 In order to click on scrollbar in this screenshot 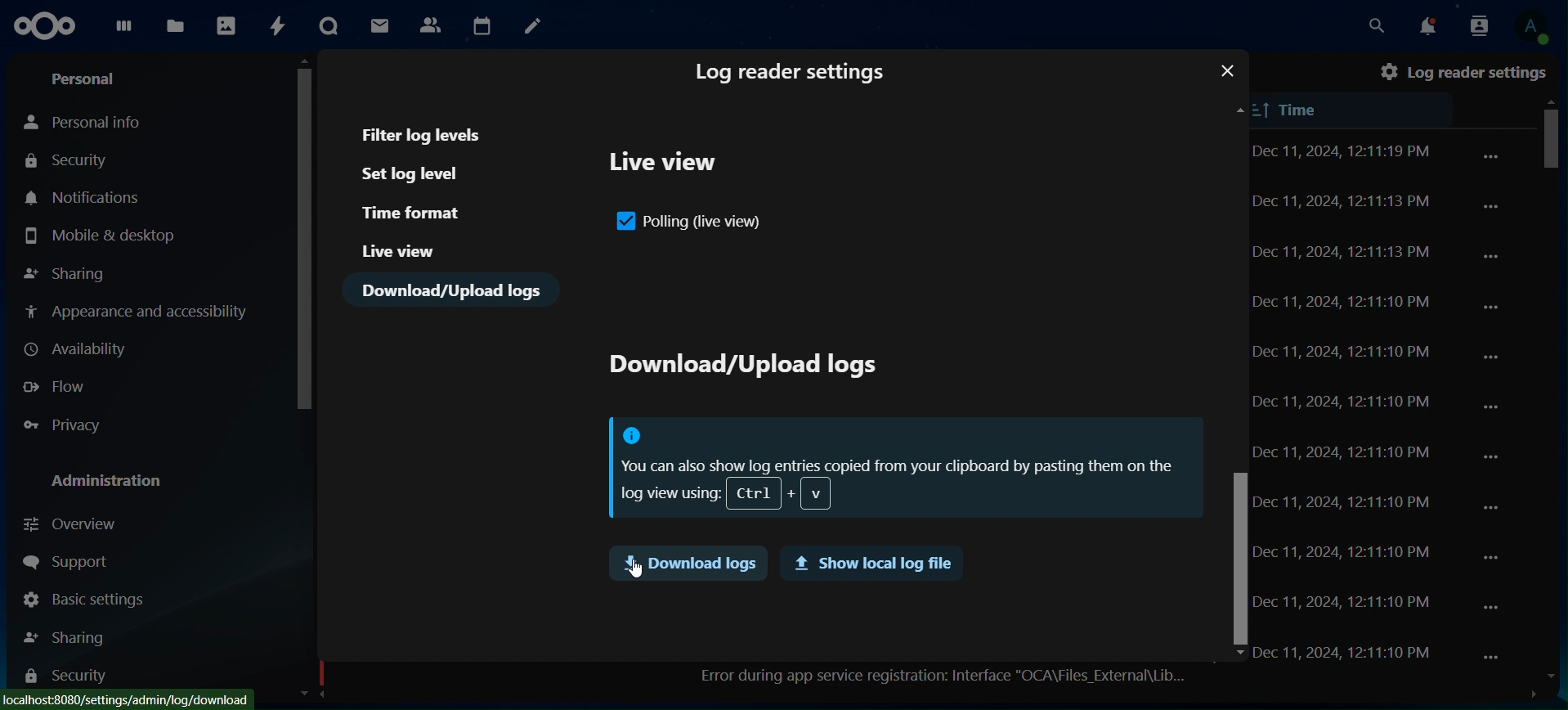, I will do `click(1236, 556)`.